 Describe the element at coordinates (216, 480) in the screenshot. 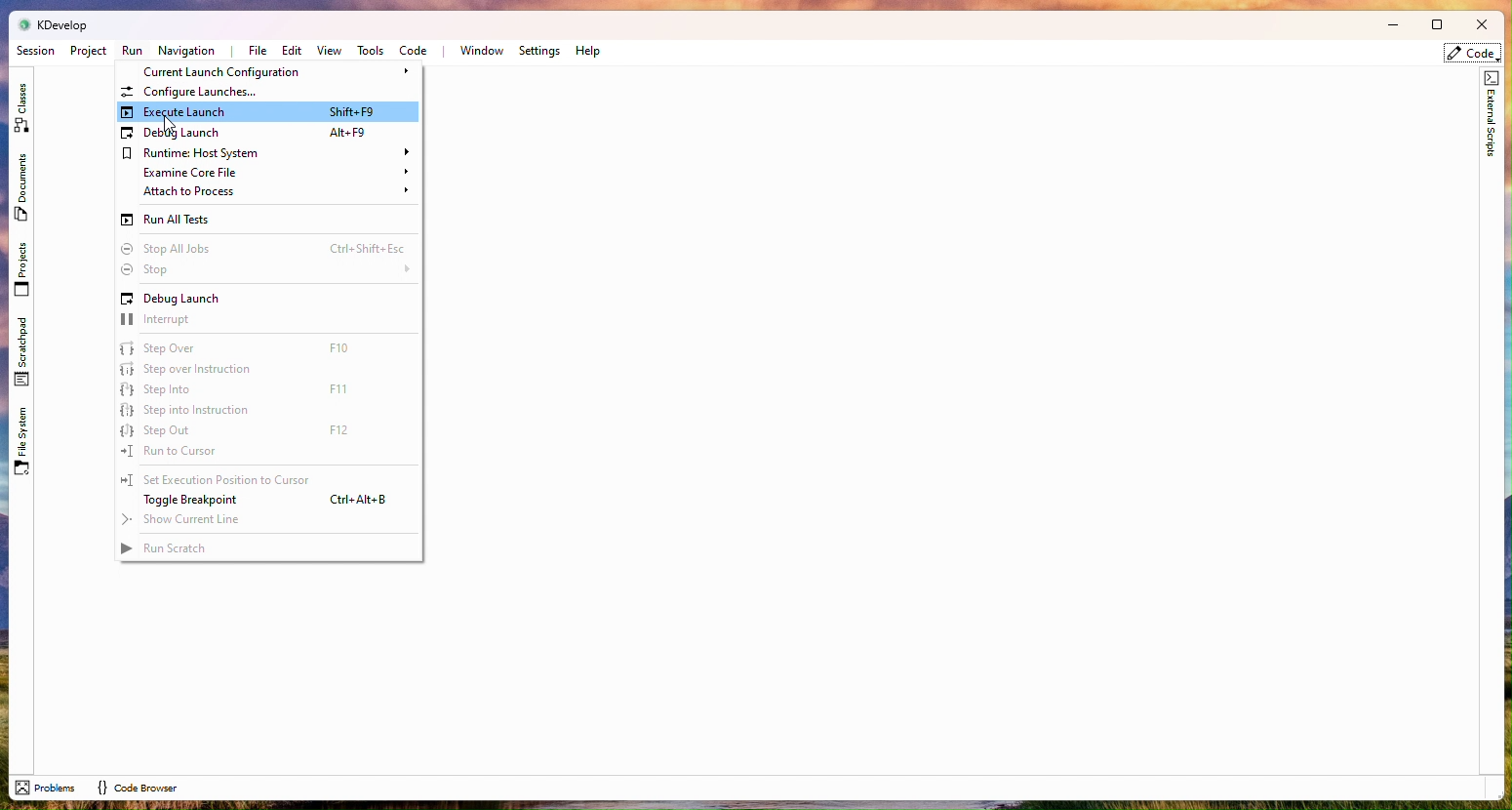

I see `Set execition to cursor` at that location.